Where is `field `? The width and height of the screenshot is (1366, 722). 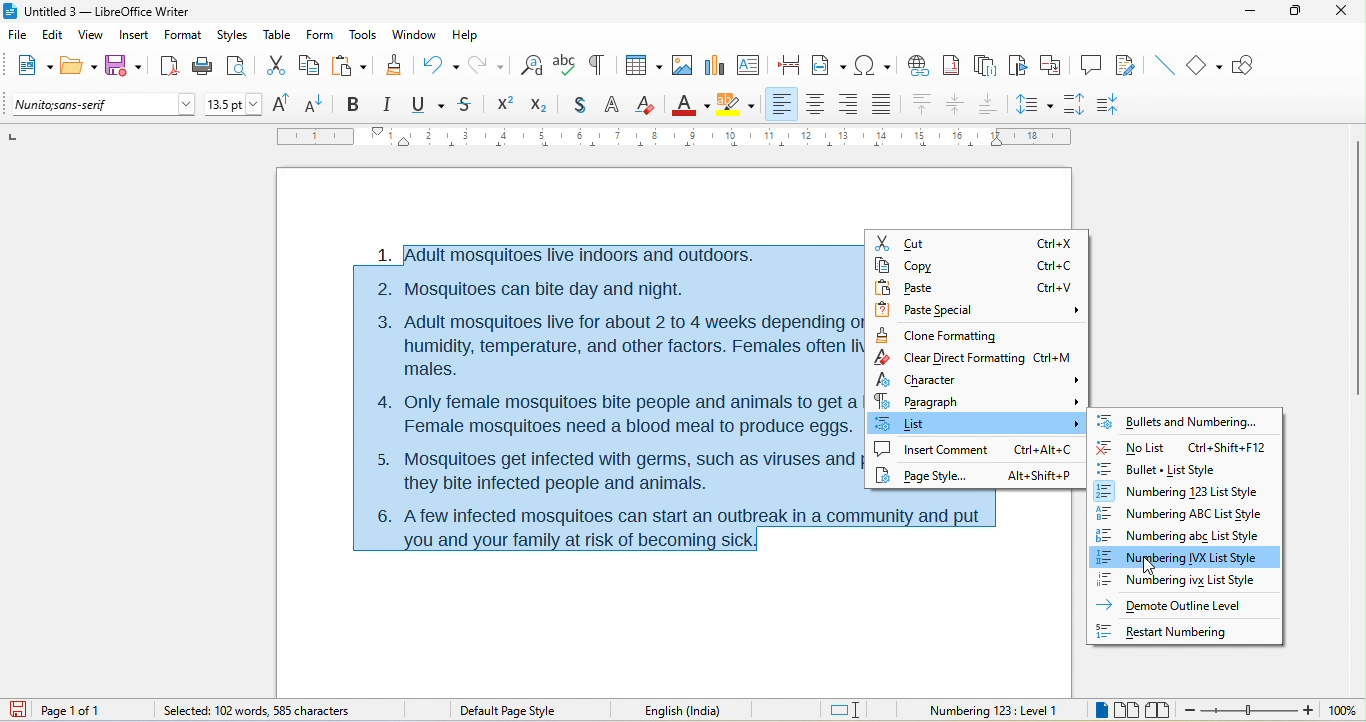 field  is located at coordinates (829, 66).